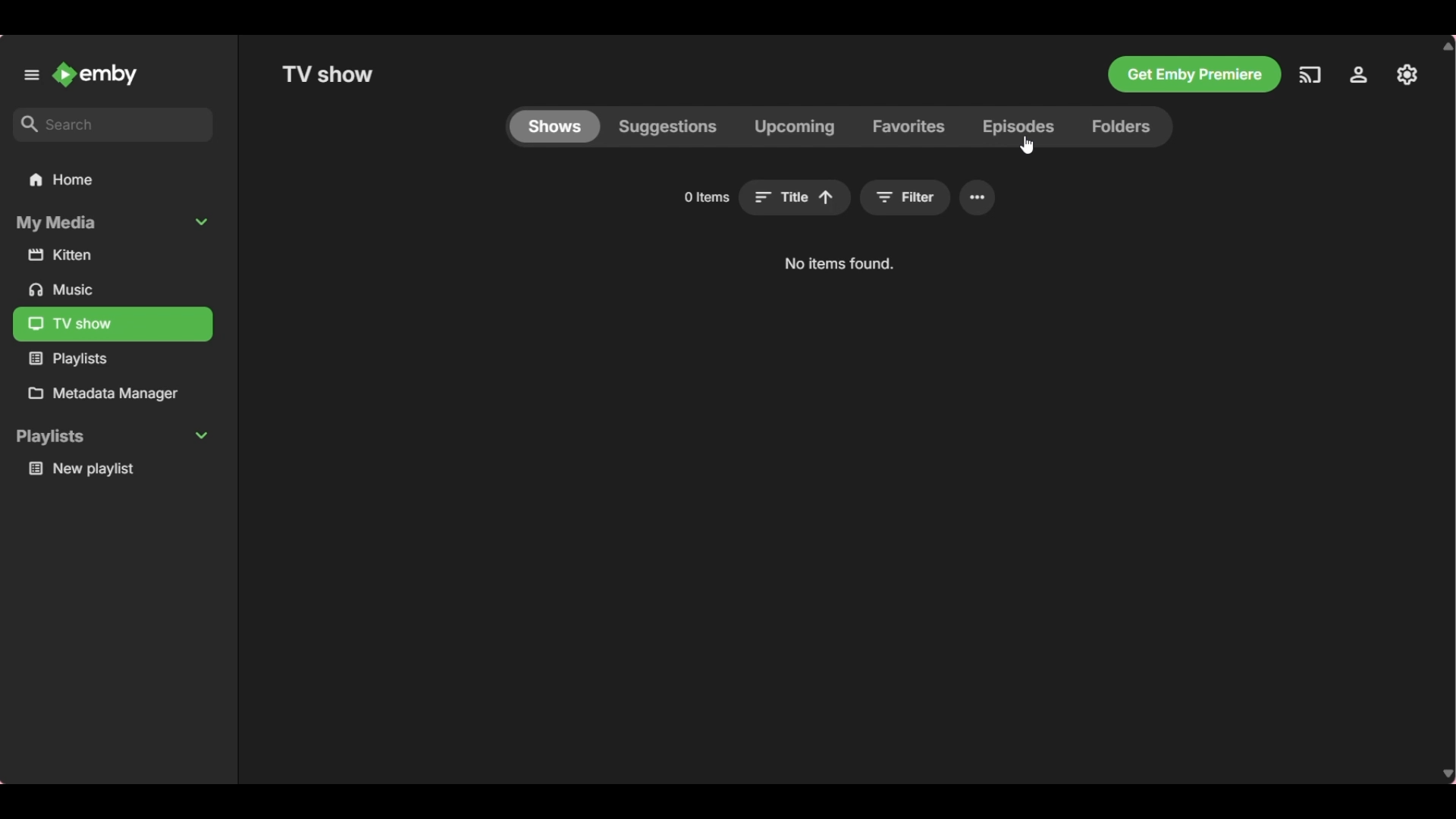 The image size is (1456, 819). Describe the element at coordinates (117, 469) in the screenshot. I see `Playlist under Playlists section` at that location.